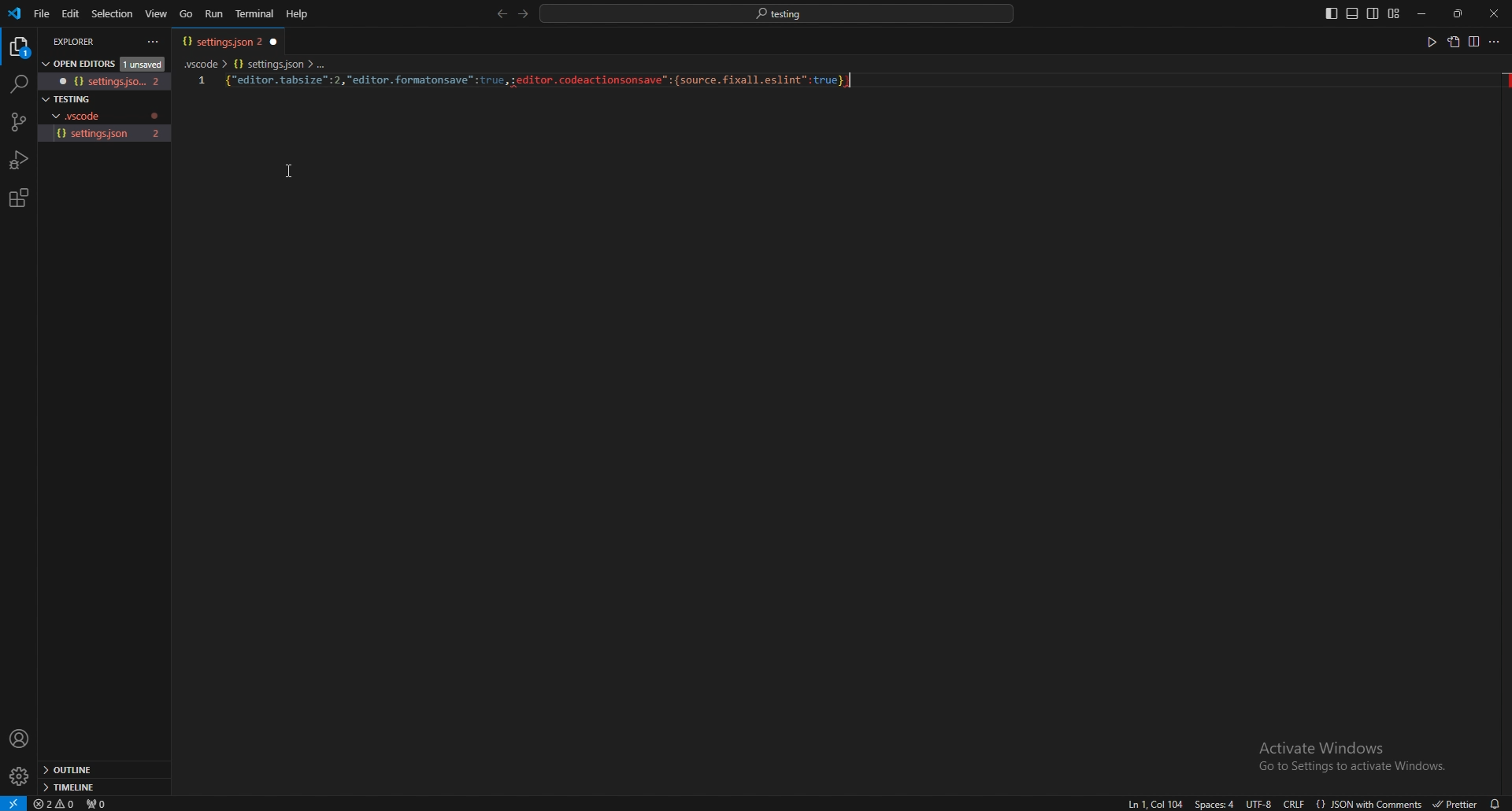 The image size is (1512, 811). What do you see at coordinates (203, 64) in the screenshot?
I see `vscode` at bounding box center [203, 64].